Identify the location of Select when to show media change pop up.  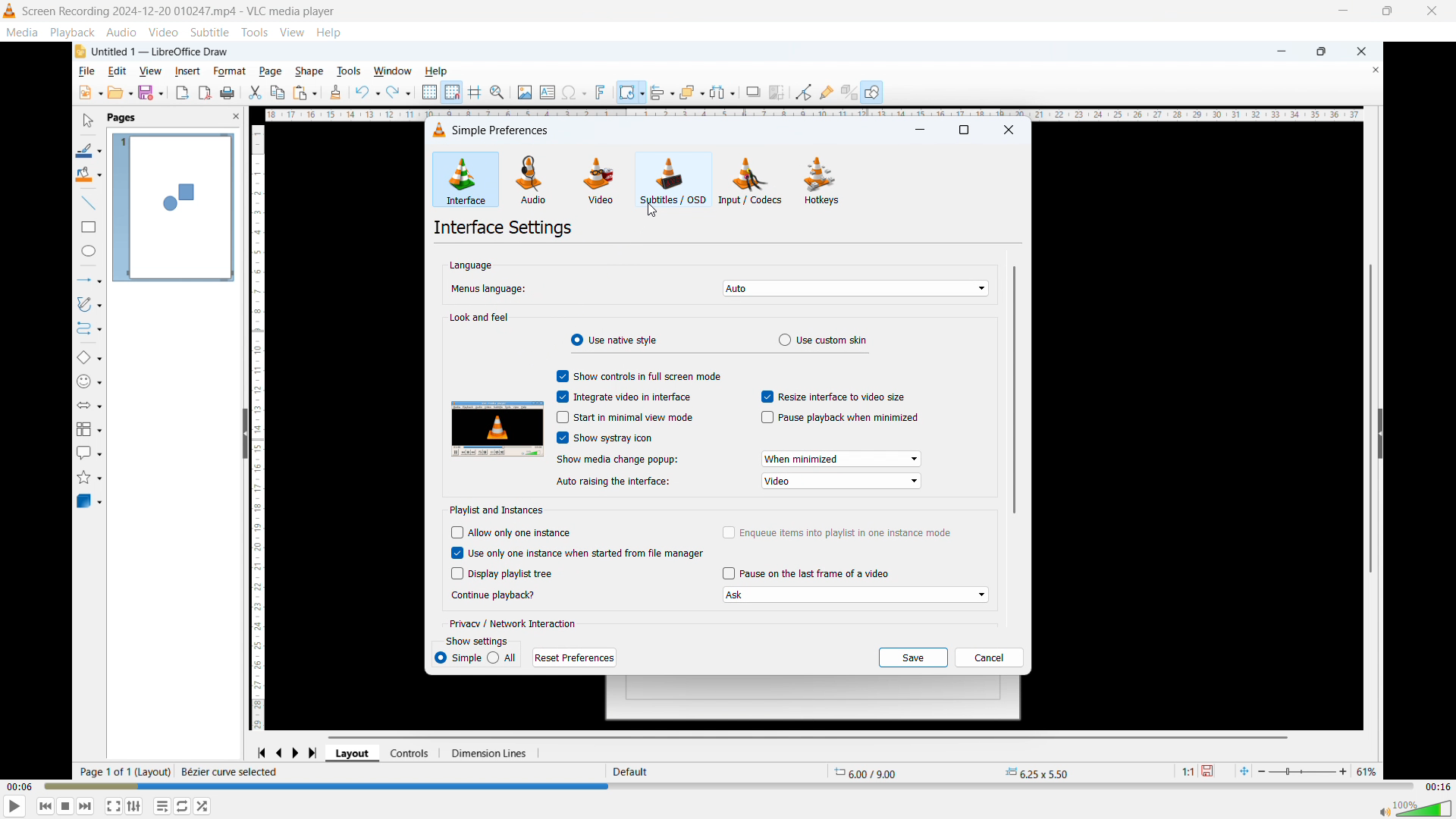
(841, 459).